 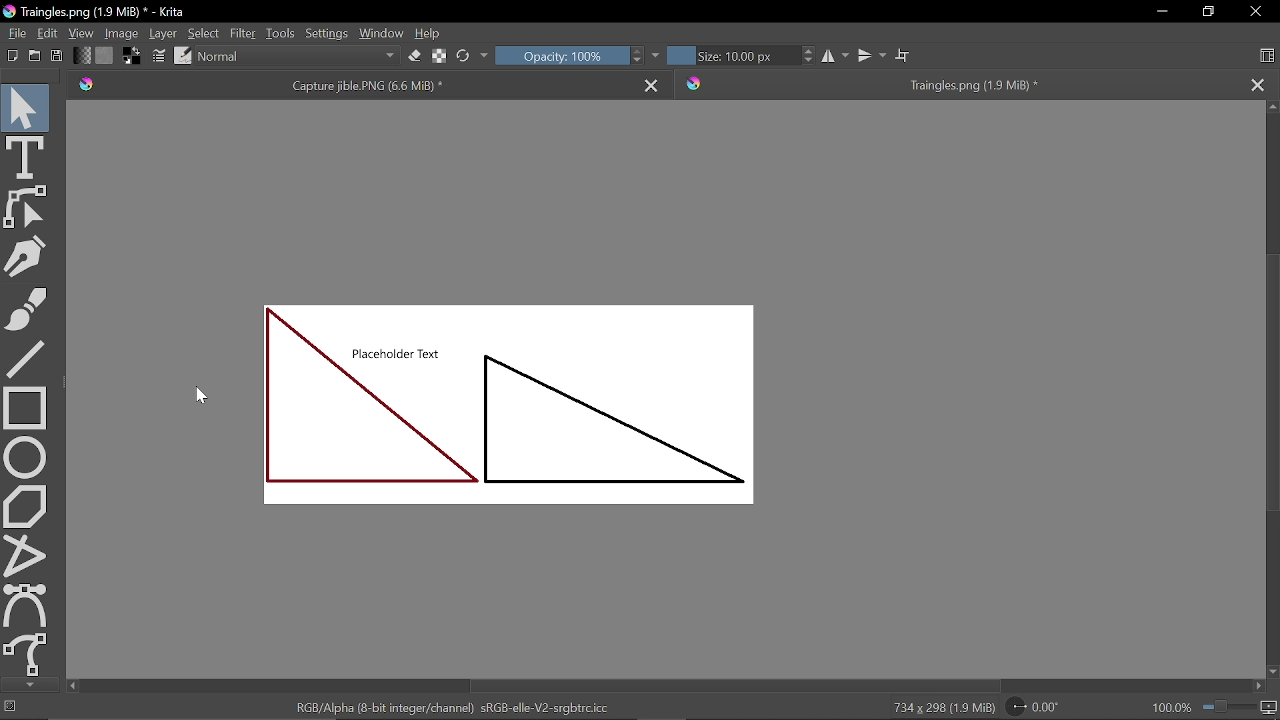 I want to click on vertical mirror tool, so click(x=871, y=56).